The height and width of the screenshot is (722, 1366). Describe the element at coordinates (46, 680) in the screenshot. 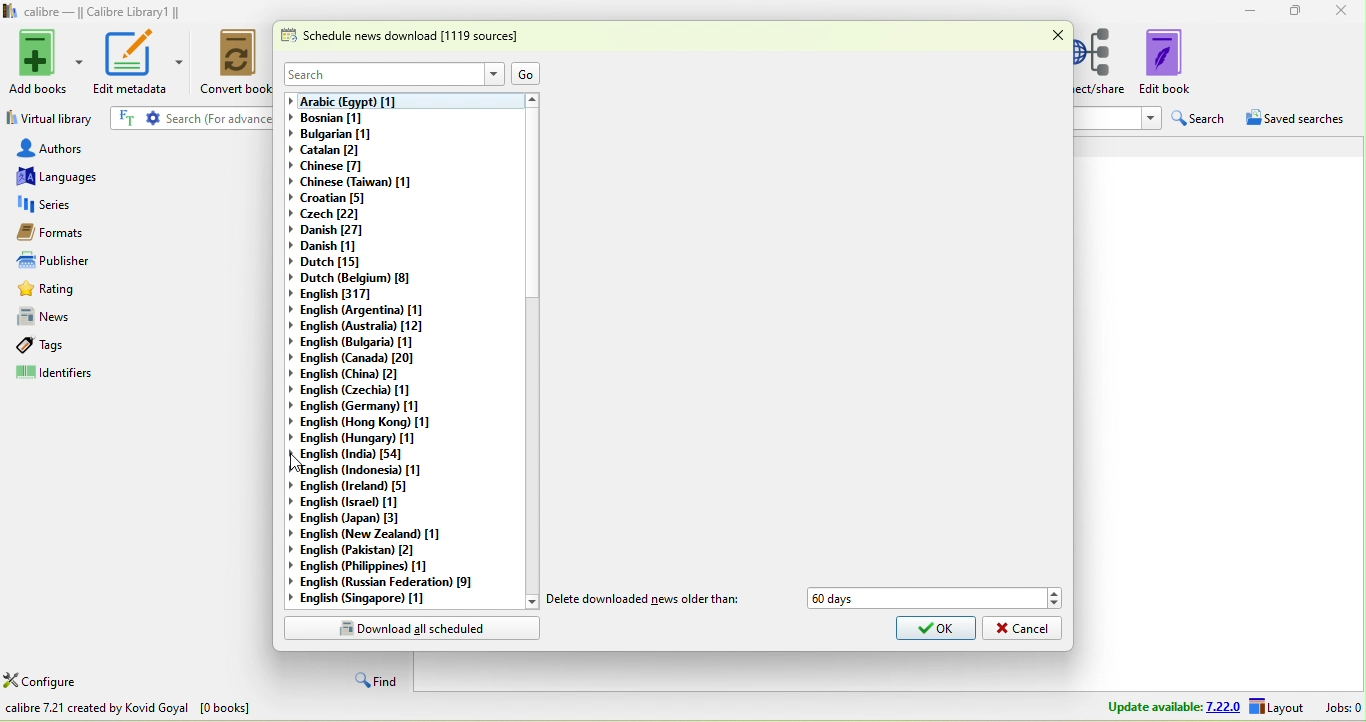

I see `configure` at that location.